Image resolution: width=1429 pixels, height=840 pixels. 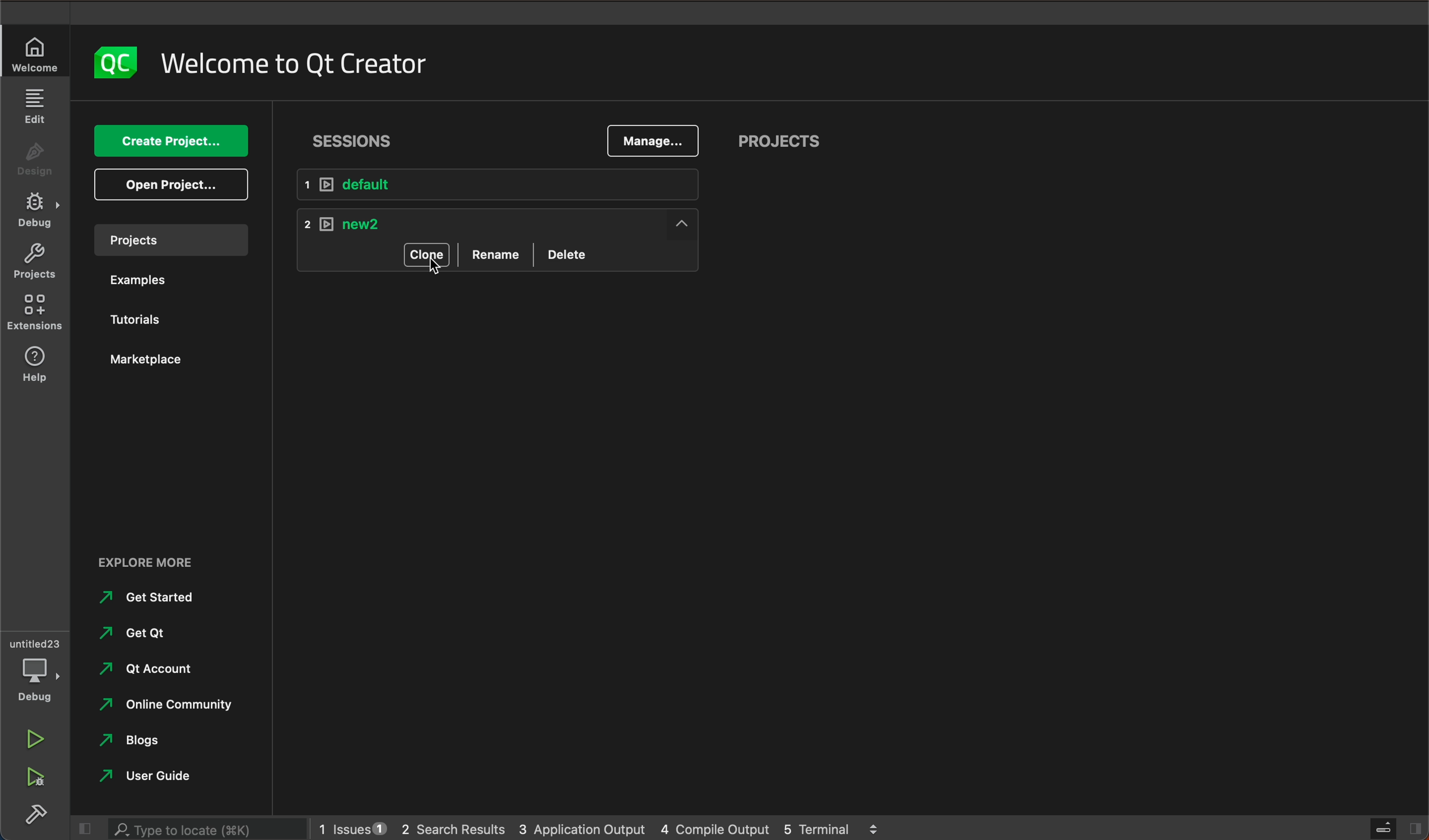 What do you see at coordinates (144, 359) in the screenshot?
I see `marketplace` at bounding box center [144, 359].